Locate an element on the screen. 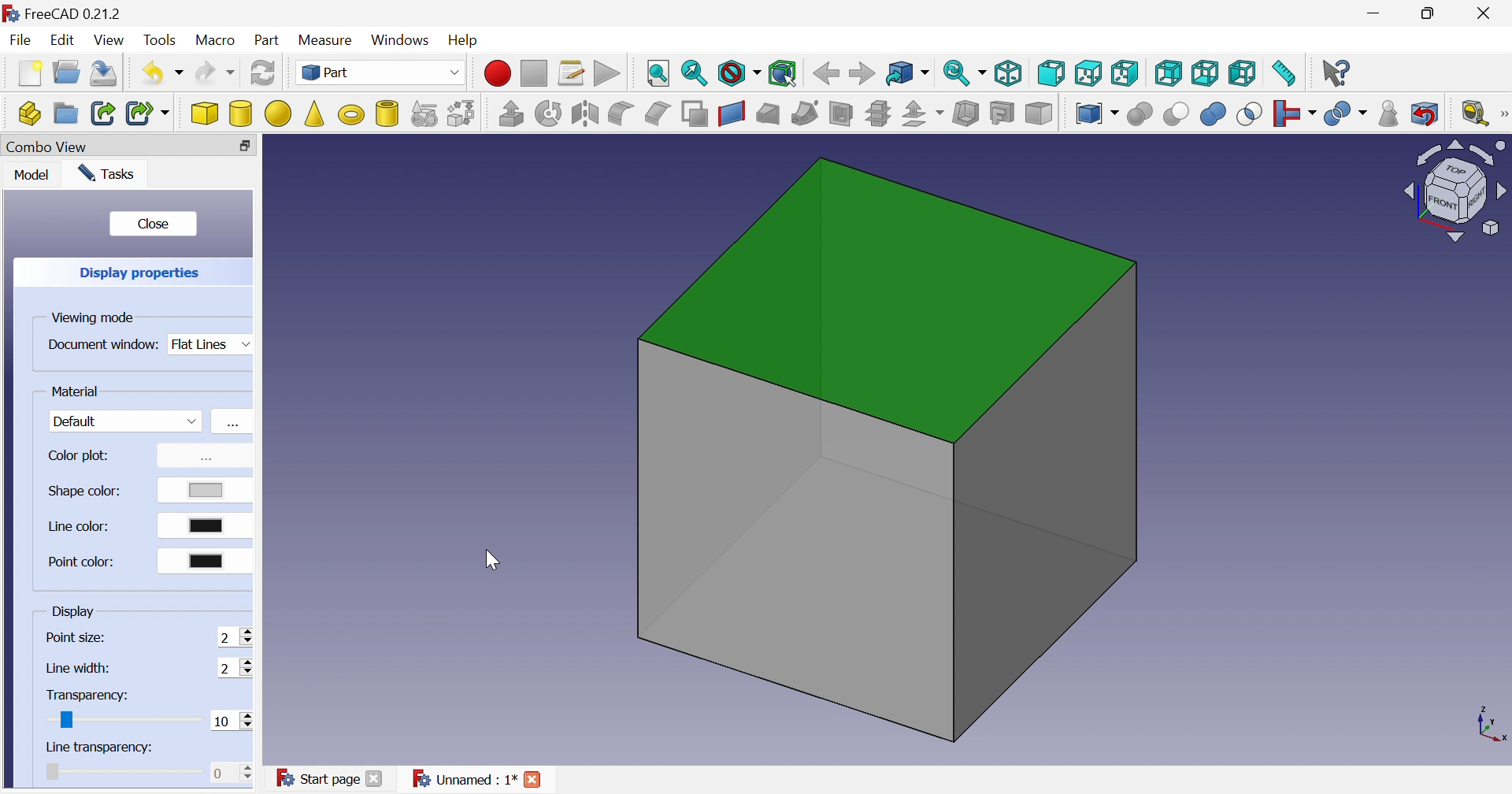 The height and width of the screenshot is (794, 1512). 0 is located at coordinates (230, 721).